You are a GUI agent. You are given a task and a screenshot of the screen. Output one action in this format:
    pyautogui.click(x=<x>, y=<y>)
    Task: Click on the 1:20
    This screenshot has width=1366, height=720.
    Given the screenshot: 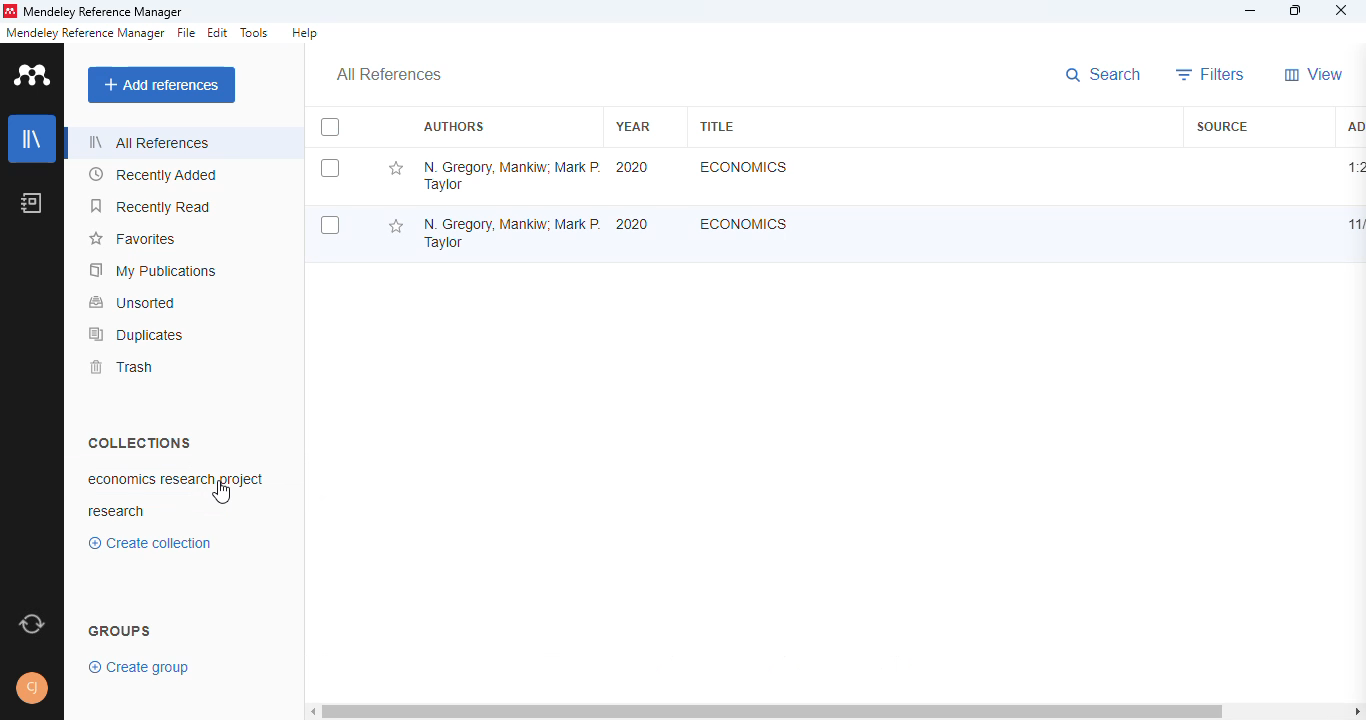 What is the action you would take?
    pyautogui.click(x=1355, y=167)
    